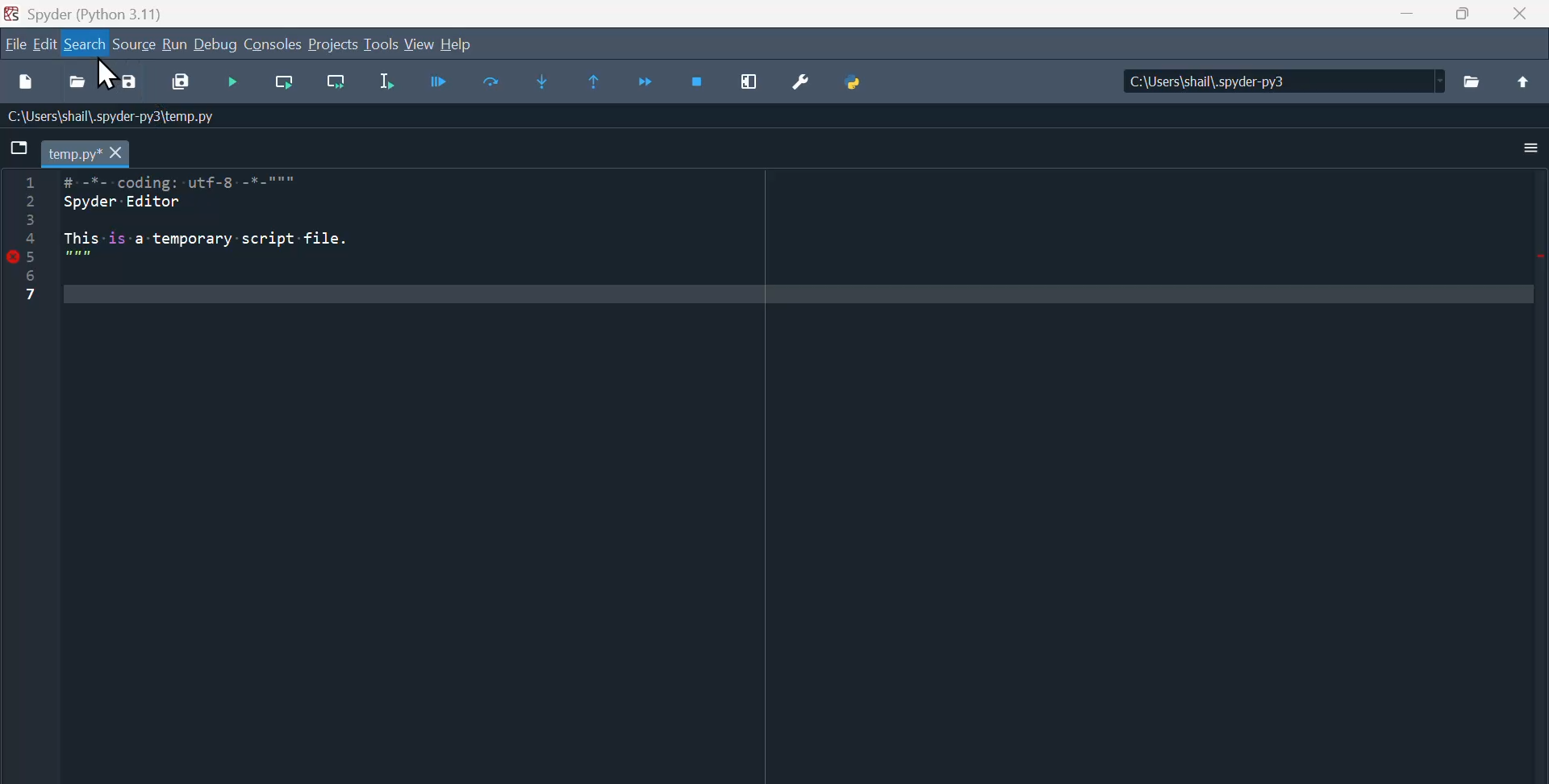 The height and width of the screenshot is (784, 1549). I want to click on help, so click(462, 45).